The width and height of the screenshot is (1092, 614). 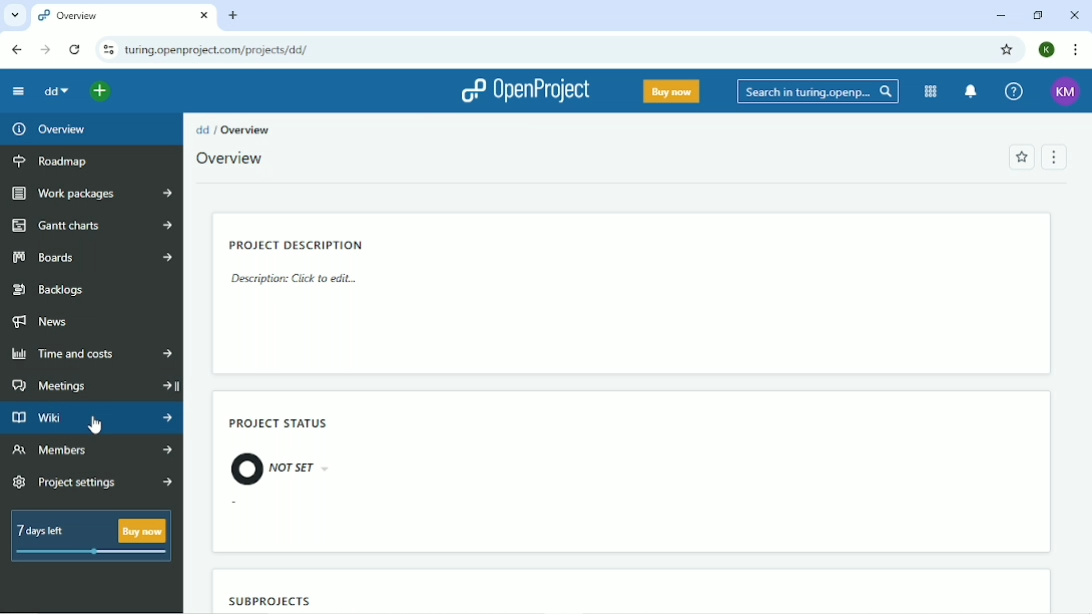 I want to click on Account, so click(x=1067, y=90).